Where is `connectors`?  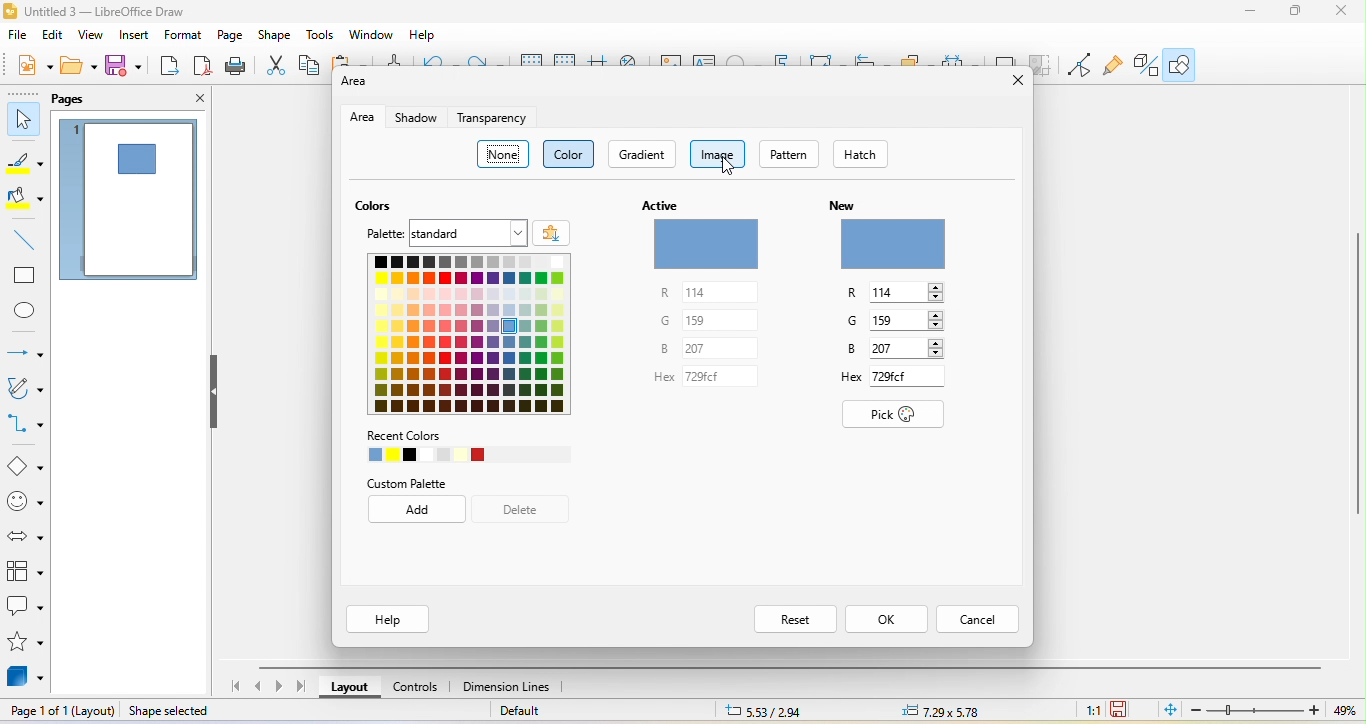
connectors is located at coordinates (26, 425).